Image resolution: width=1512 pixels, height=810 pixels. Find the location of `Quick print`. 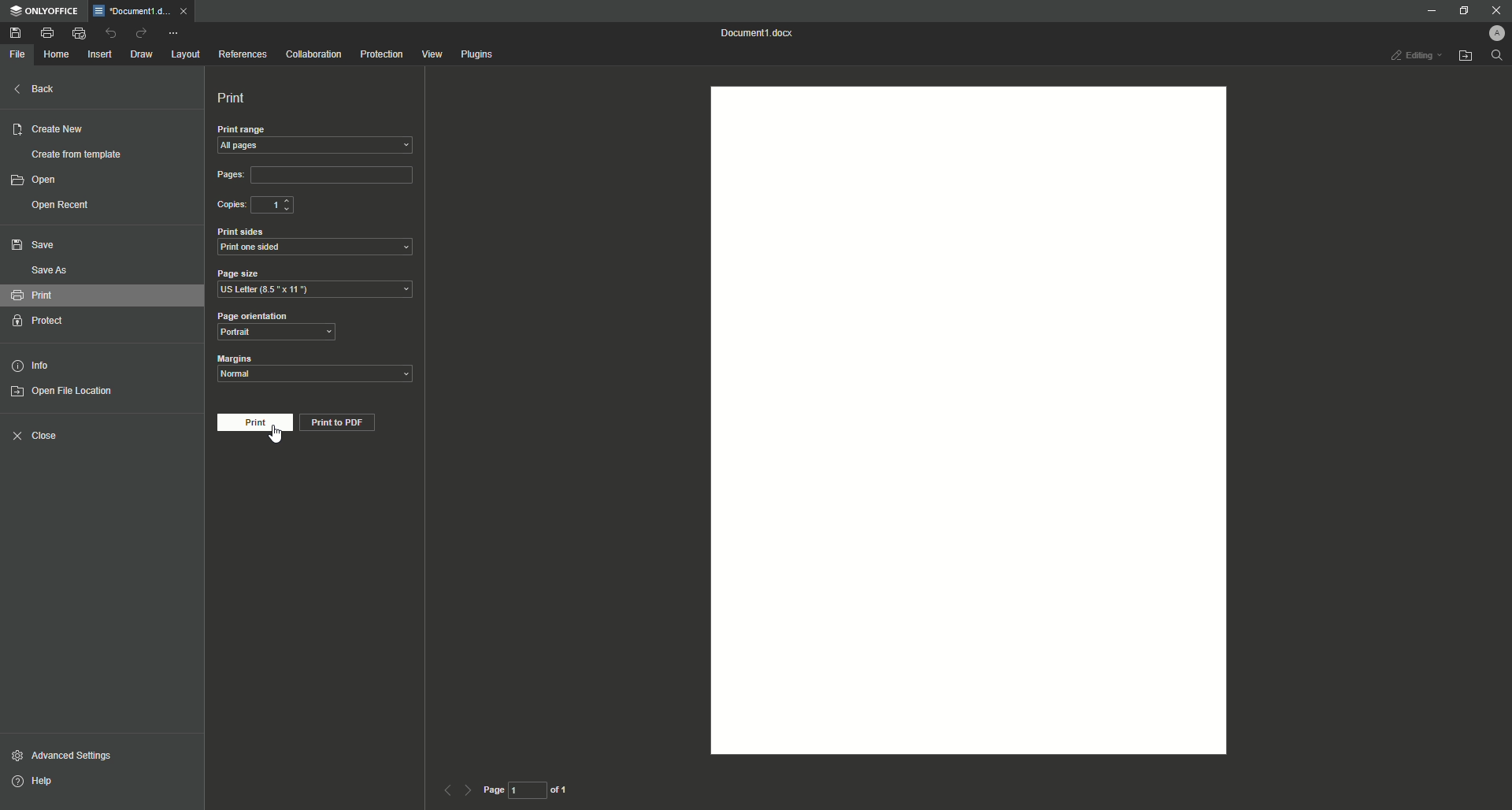

Quick print is located at coordinates (79, 33).